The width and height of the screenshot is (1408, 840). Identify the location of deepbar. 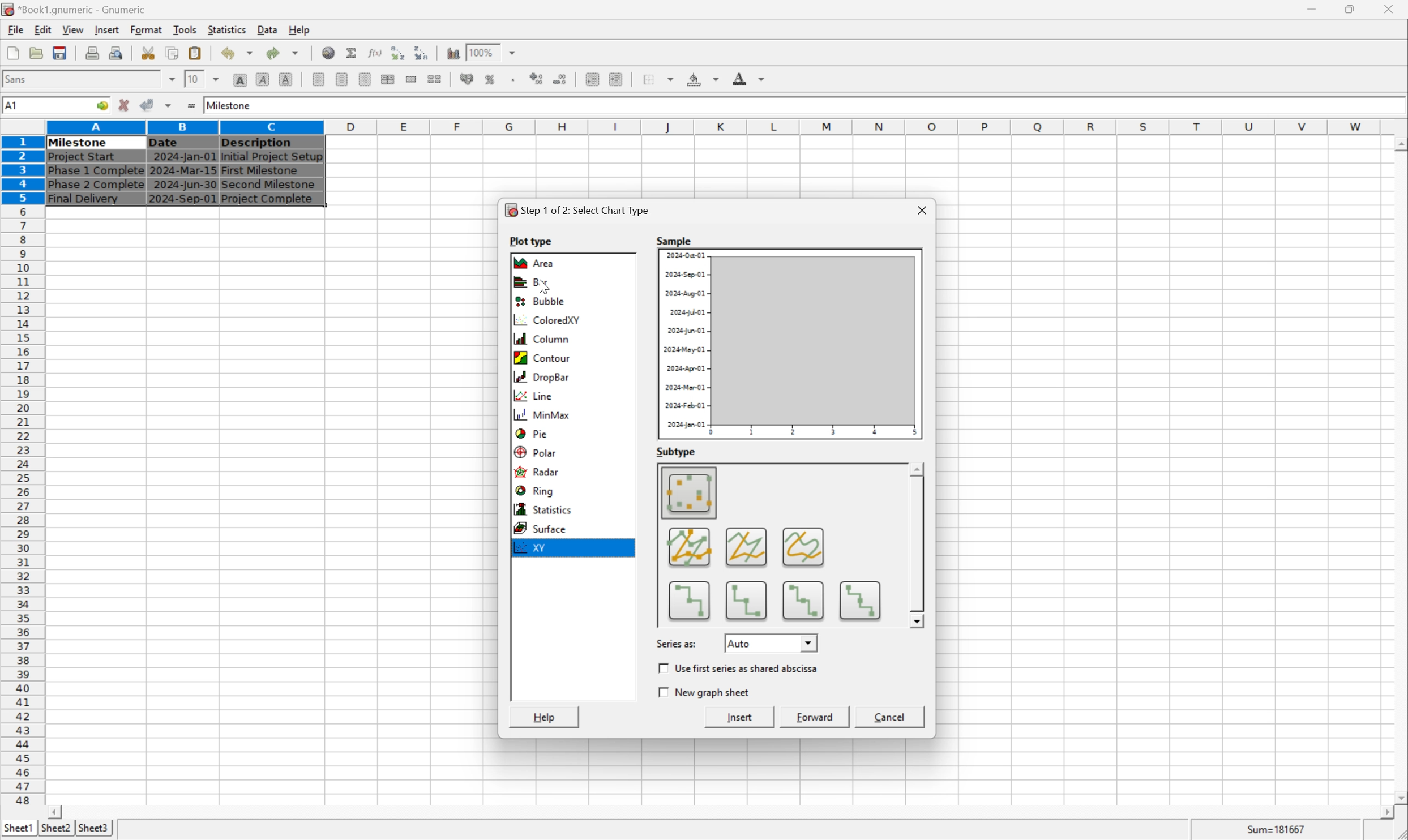
(542, 378).